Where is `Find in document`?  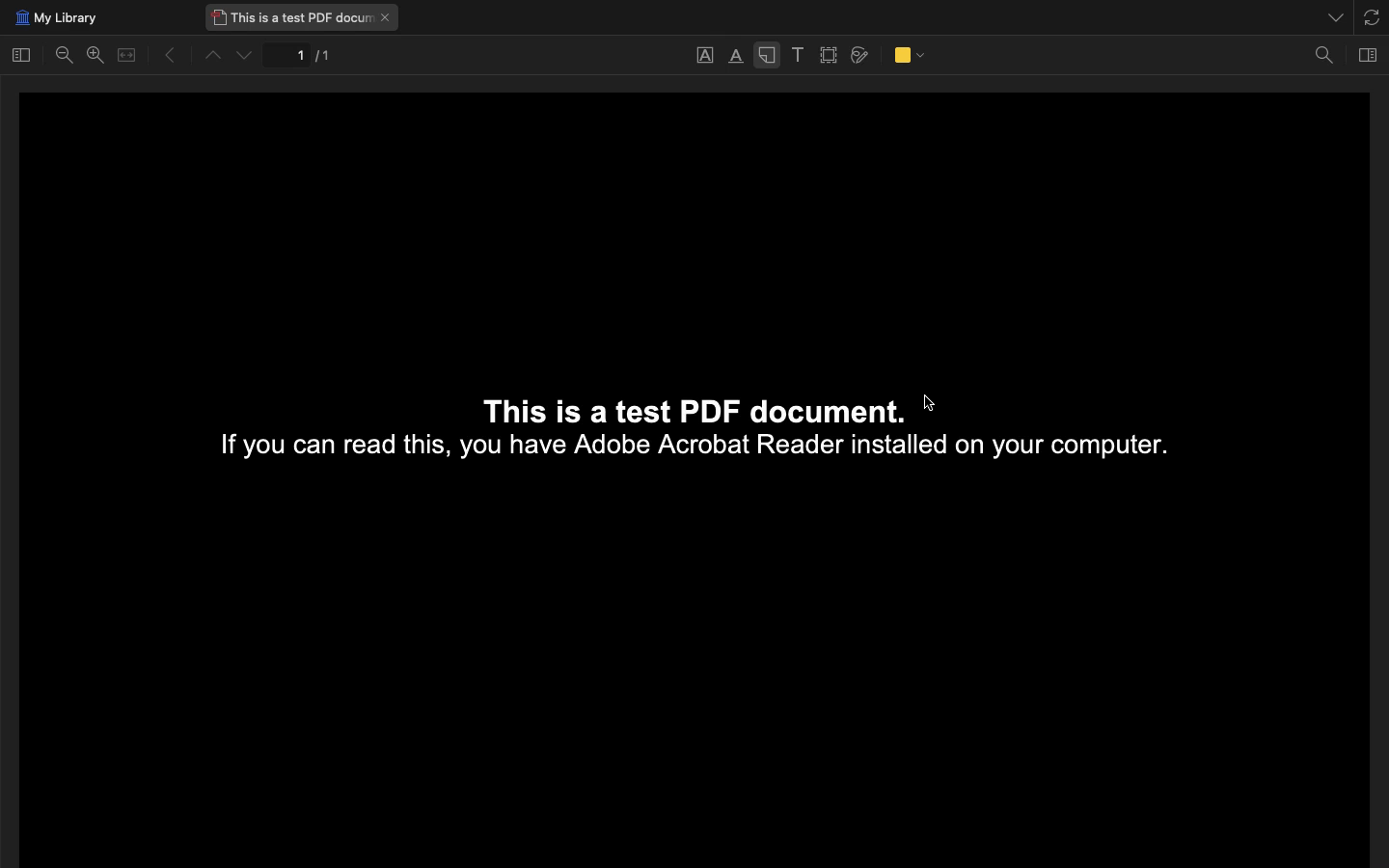 Find in document is located at coordinates (1324, 57).